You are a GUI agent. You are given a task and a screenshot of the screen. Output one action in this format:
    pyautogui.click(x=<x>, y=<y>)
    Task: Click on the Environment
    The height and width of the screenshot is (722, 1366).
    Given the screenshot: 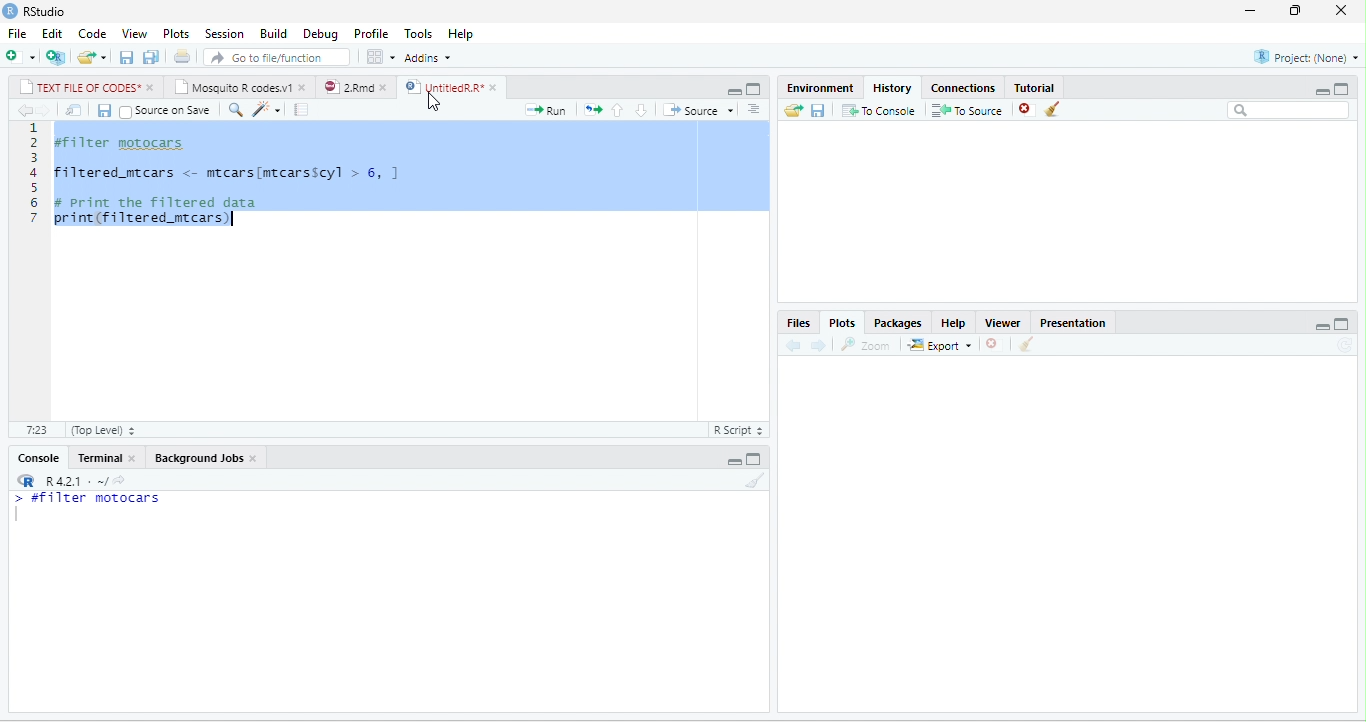 What is the action you would take?
    pyautogui.click(x=820, y=88)
    